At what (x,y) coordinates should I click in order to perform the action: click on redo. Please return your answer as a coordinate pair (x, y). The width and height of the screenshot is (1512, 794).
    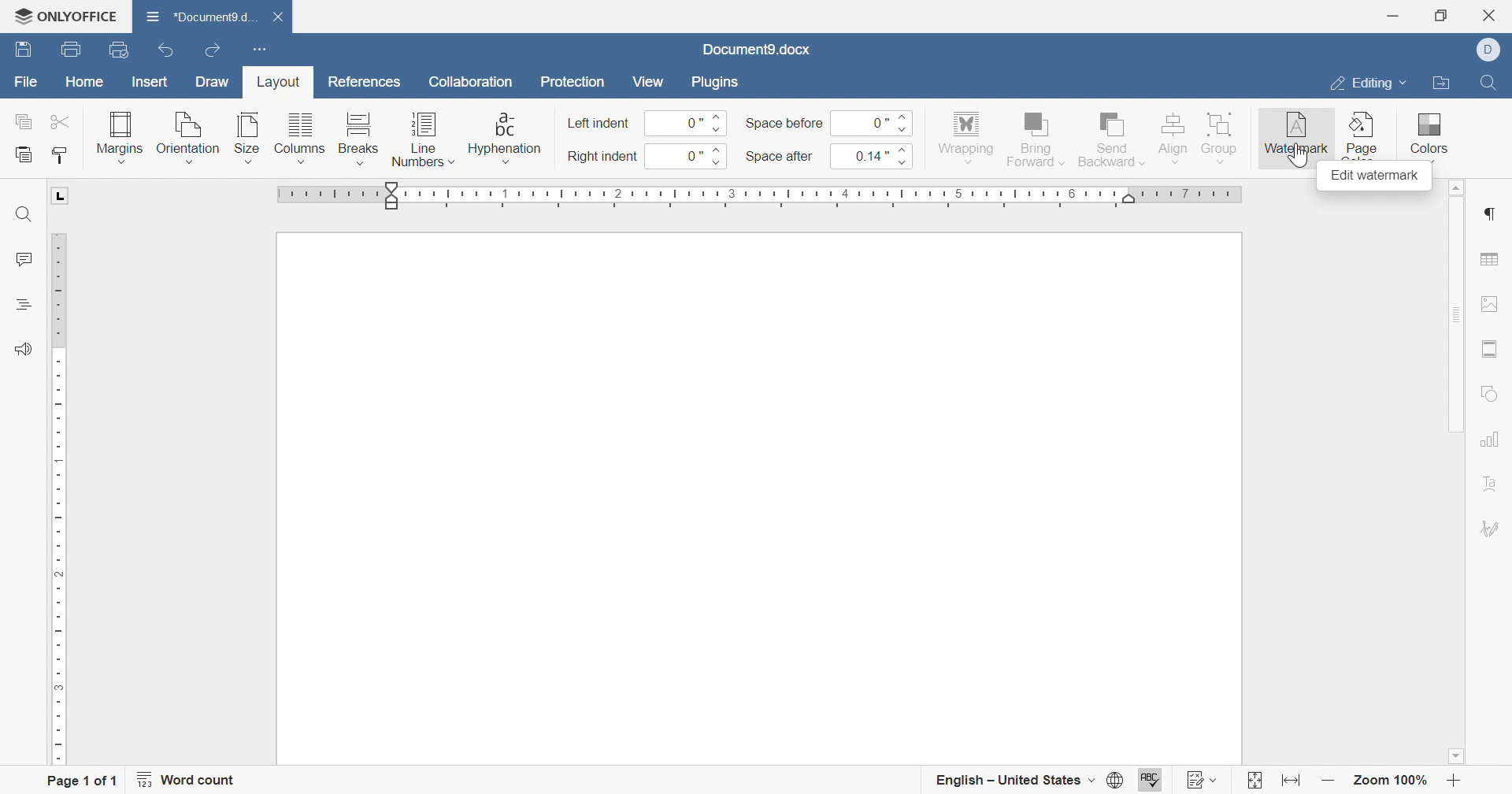
    Looking at the image, I should click on (215, 52).